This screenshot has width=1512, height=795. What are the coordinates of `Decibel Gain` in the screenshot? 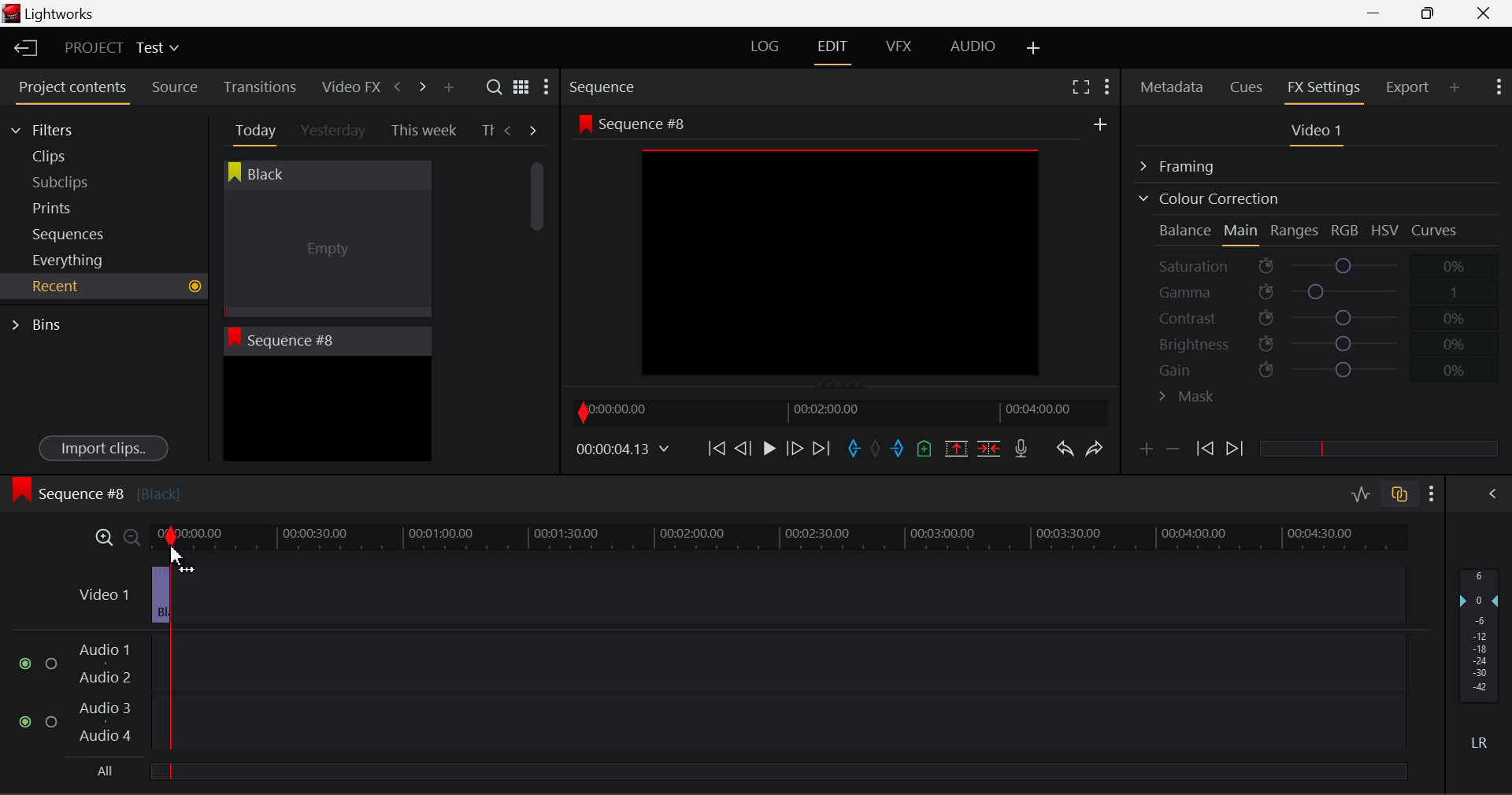 It's located at (1478, 663).